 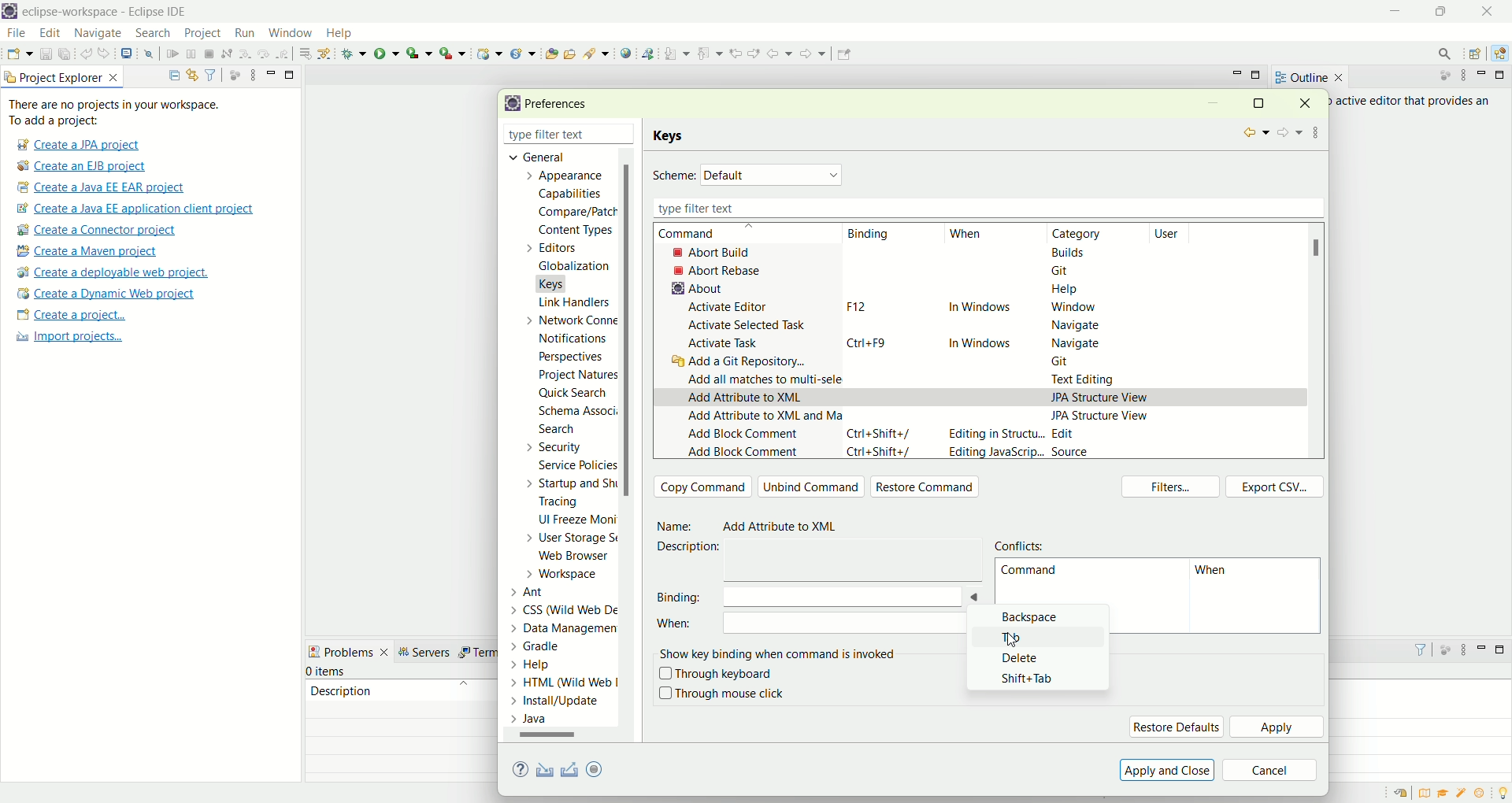 I want to click on create a Java EE application client project, so click(x=135, y=211).